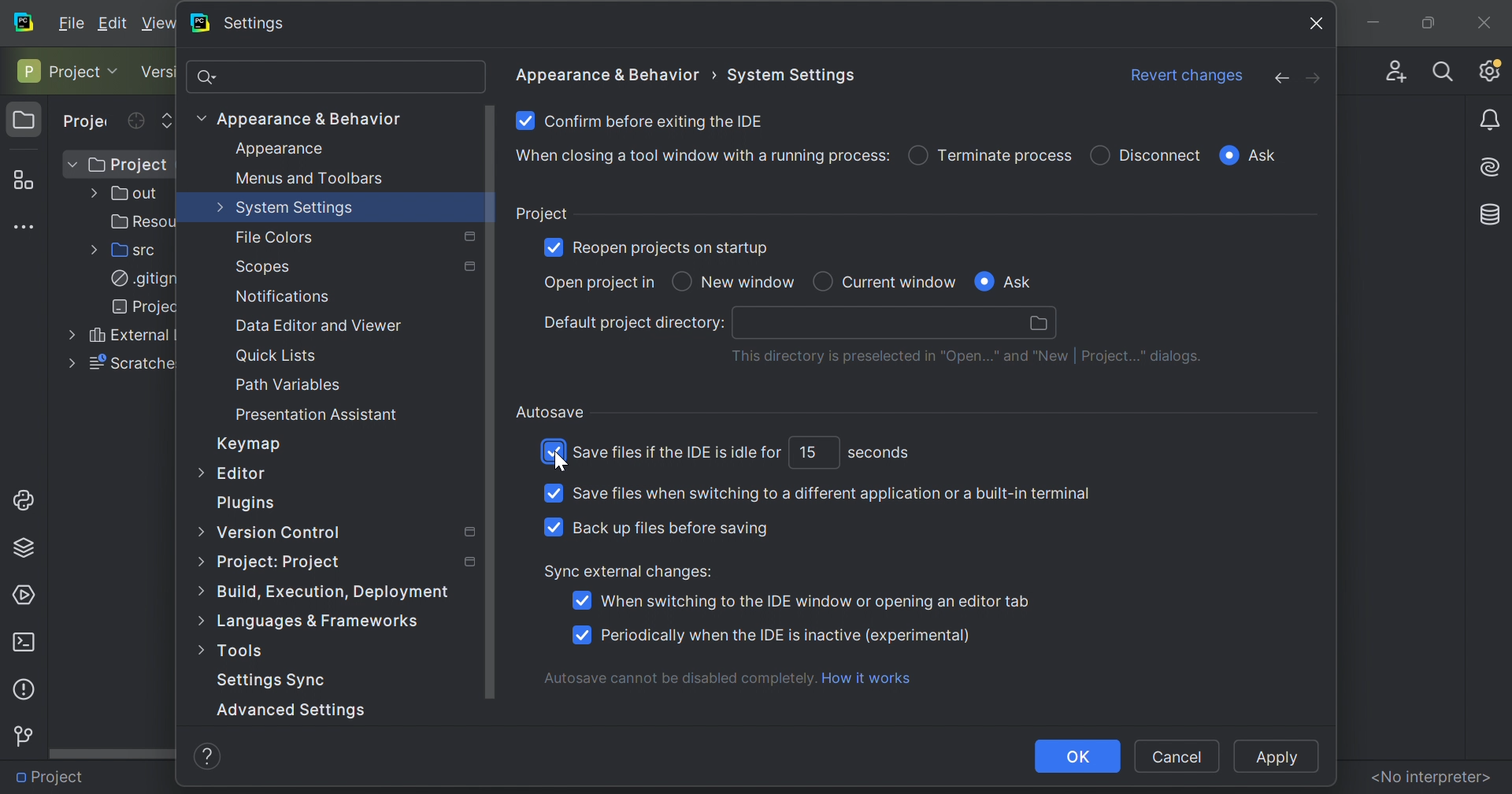 This screenshot has height=794, width=1512. Describe the element at coordinates (1078, 756) in the screenshot. I see `OK` at that location.